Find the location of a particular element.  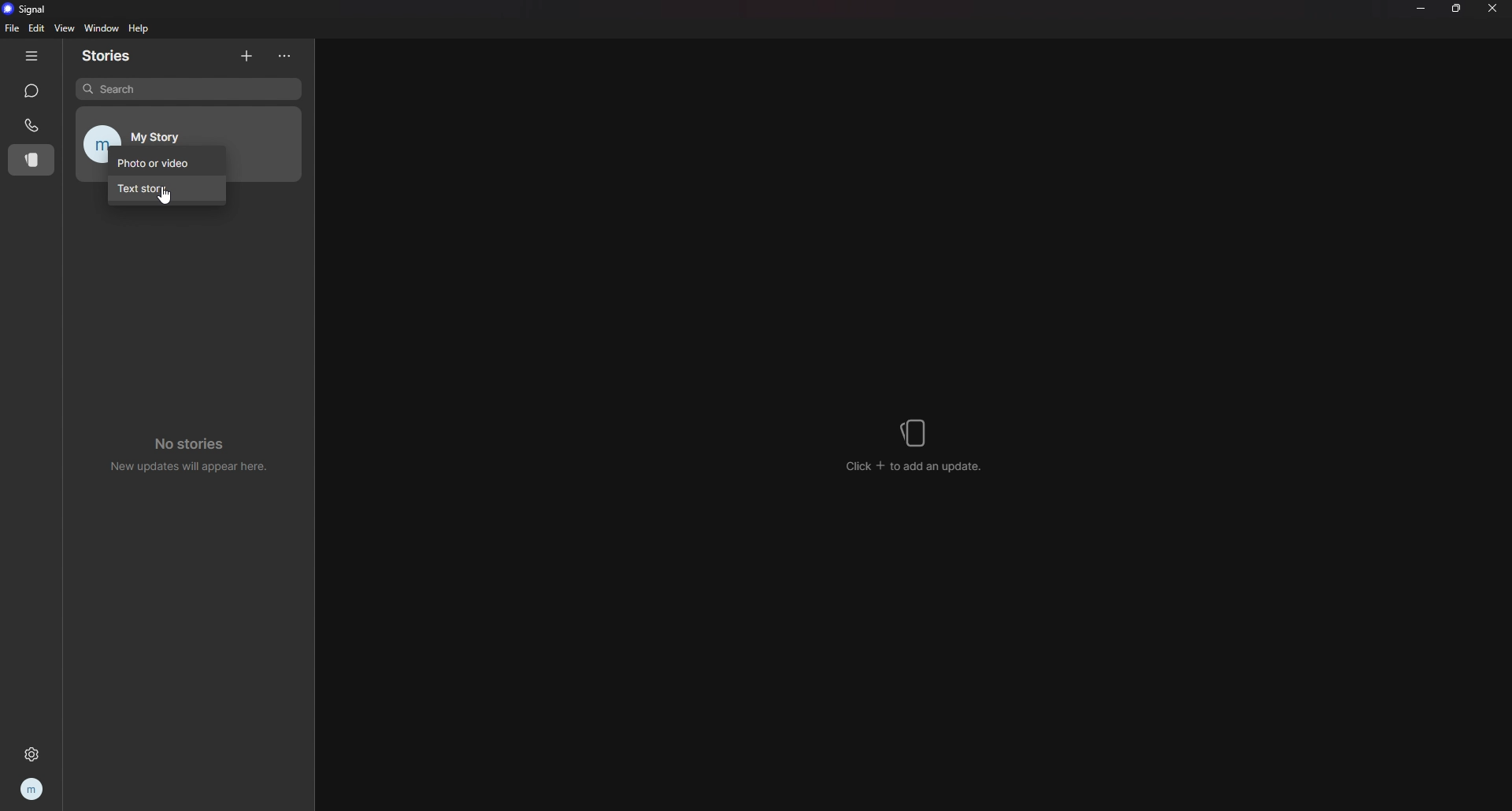

photo or video is located at coordinates (166, 161).